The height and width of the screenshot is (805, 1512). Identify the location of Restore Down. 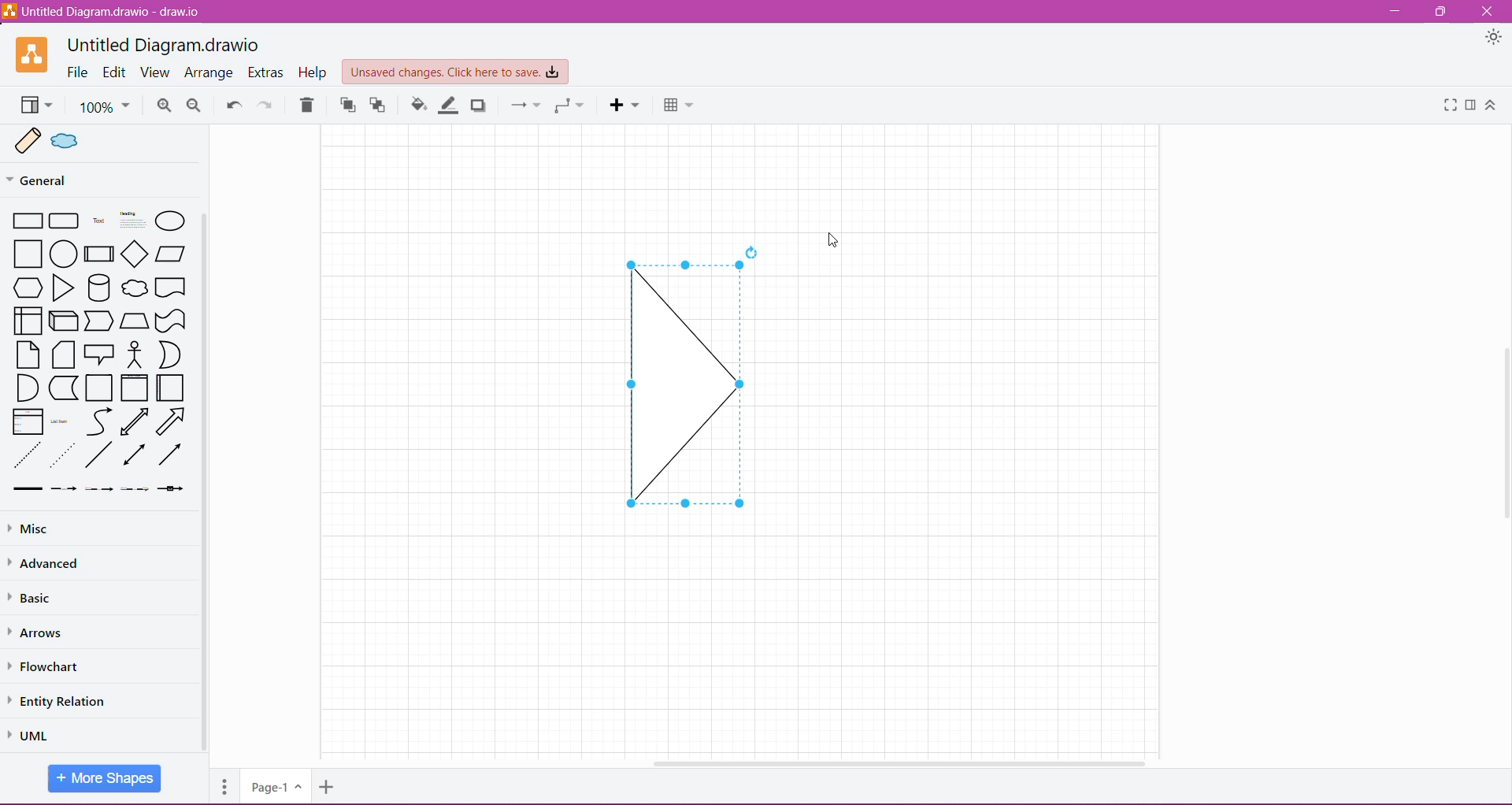
(1443, 11).